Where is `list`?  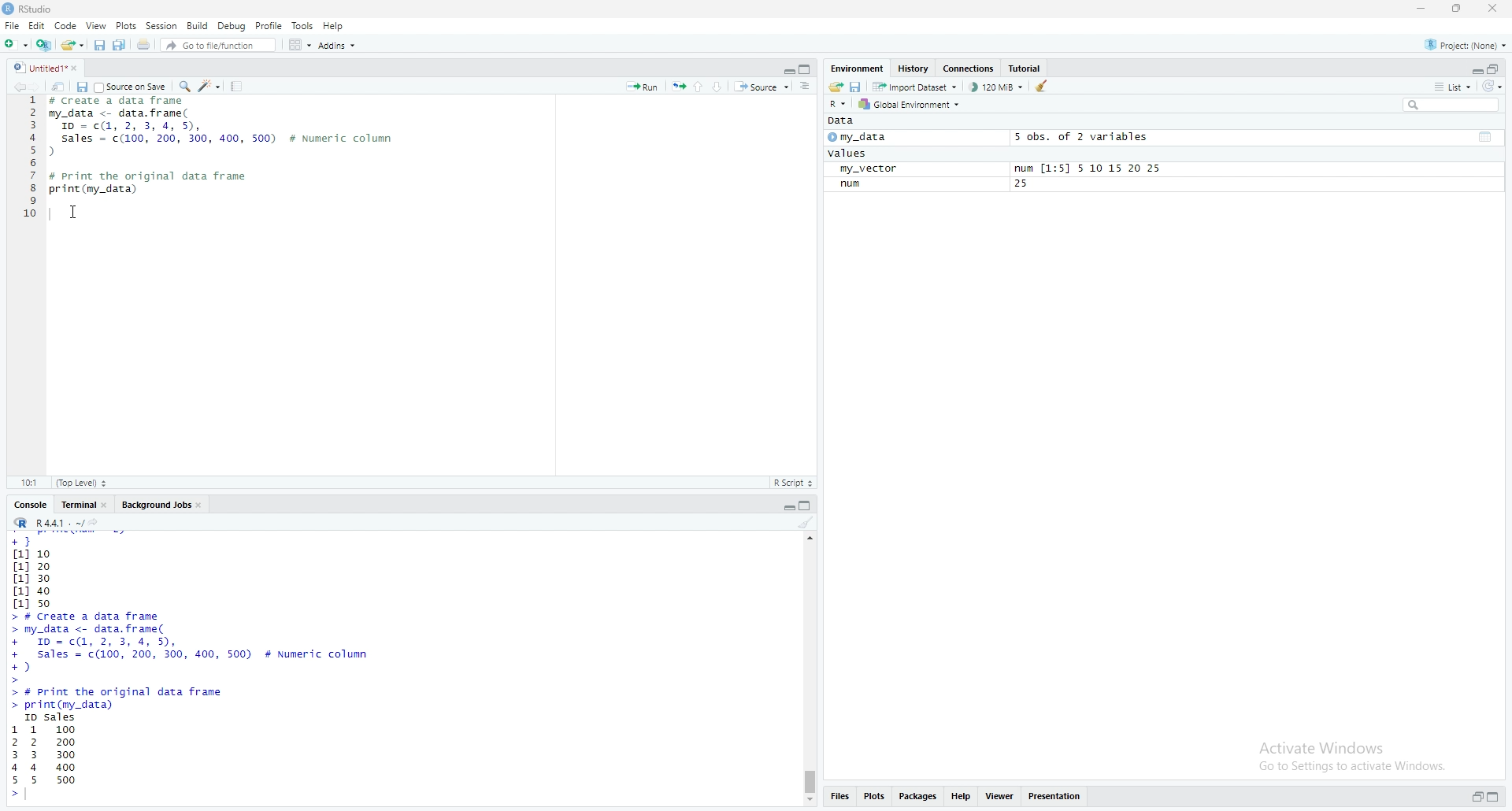
list is located at coordinates (1449, 89).